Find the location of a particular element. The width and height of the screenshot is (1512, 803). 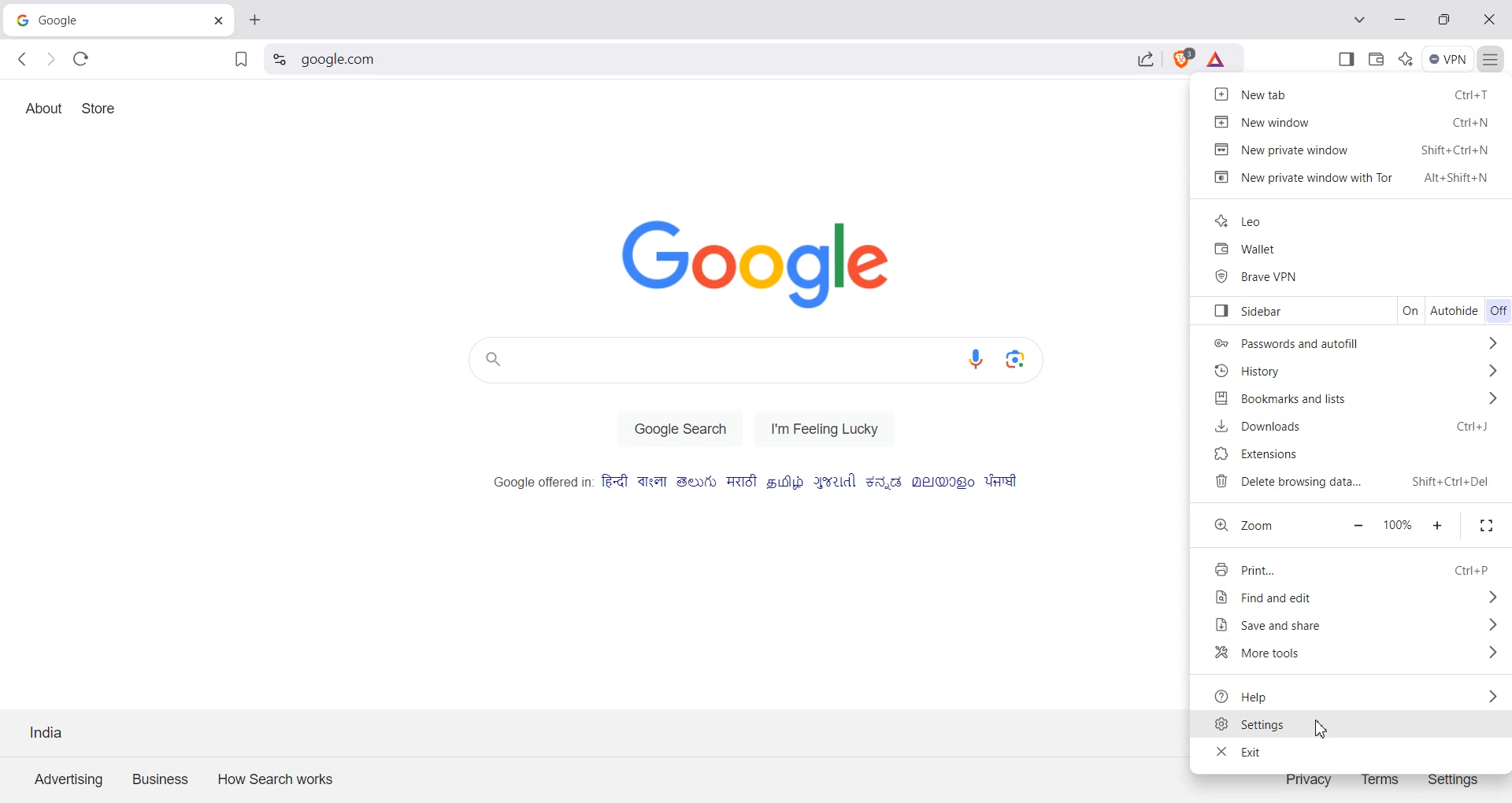

On is located at coordinates (1413, 309).